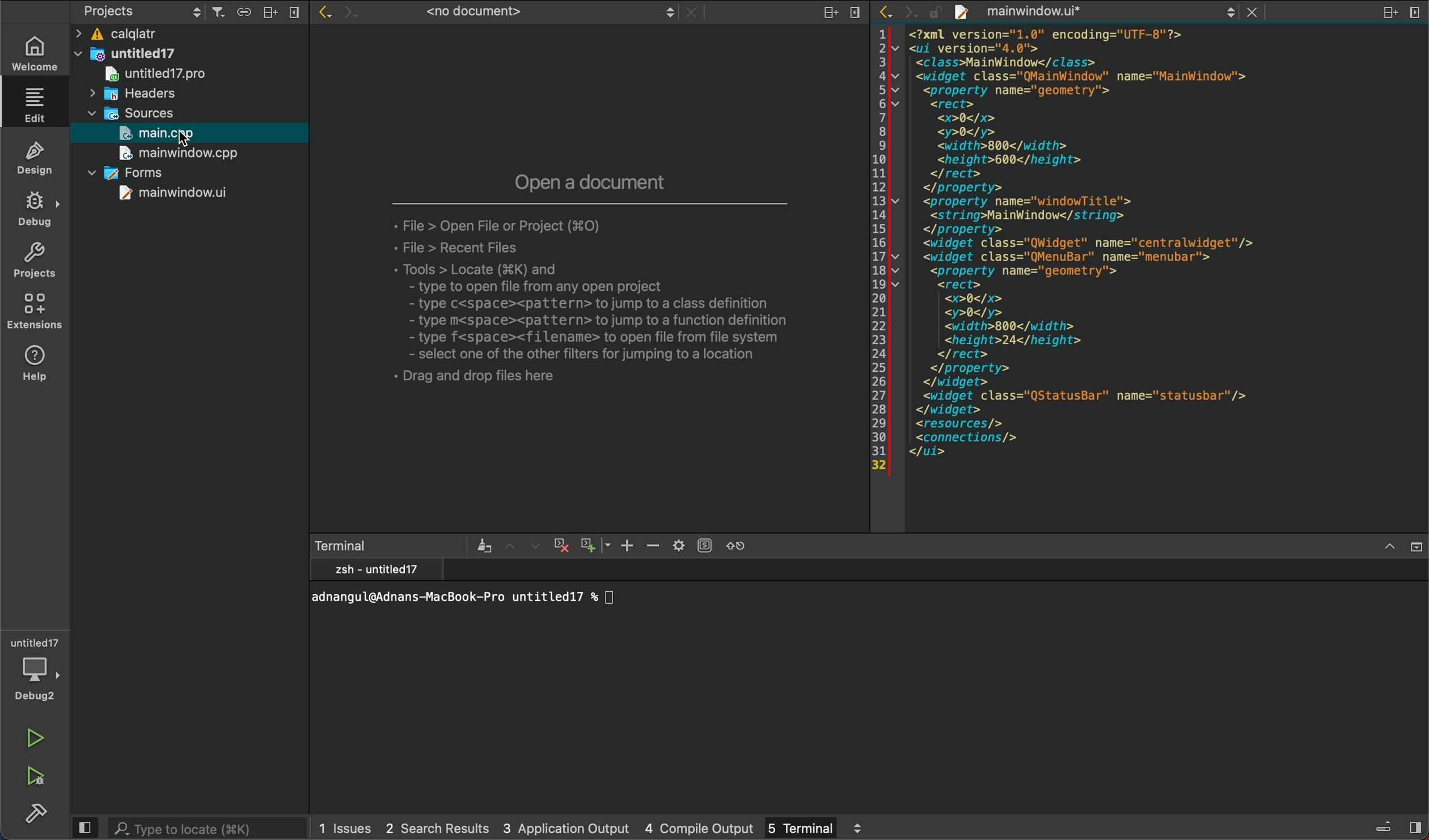 The width and height of the screenshot is (1429, 840). Describe the element at coordinates (34, 812) in the screenshot. I see `build` at that location.